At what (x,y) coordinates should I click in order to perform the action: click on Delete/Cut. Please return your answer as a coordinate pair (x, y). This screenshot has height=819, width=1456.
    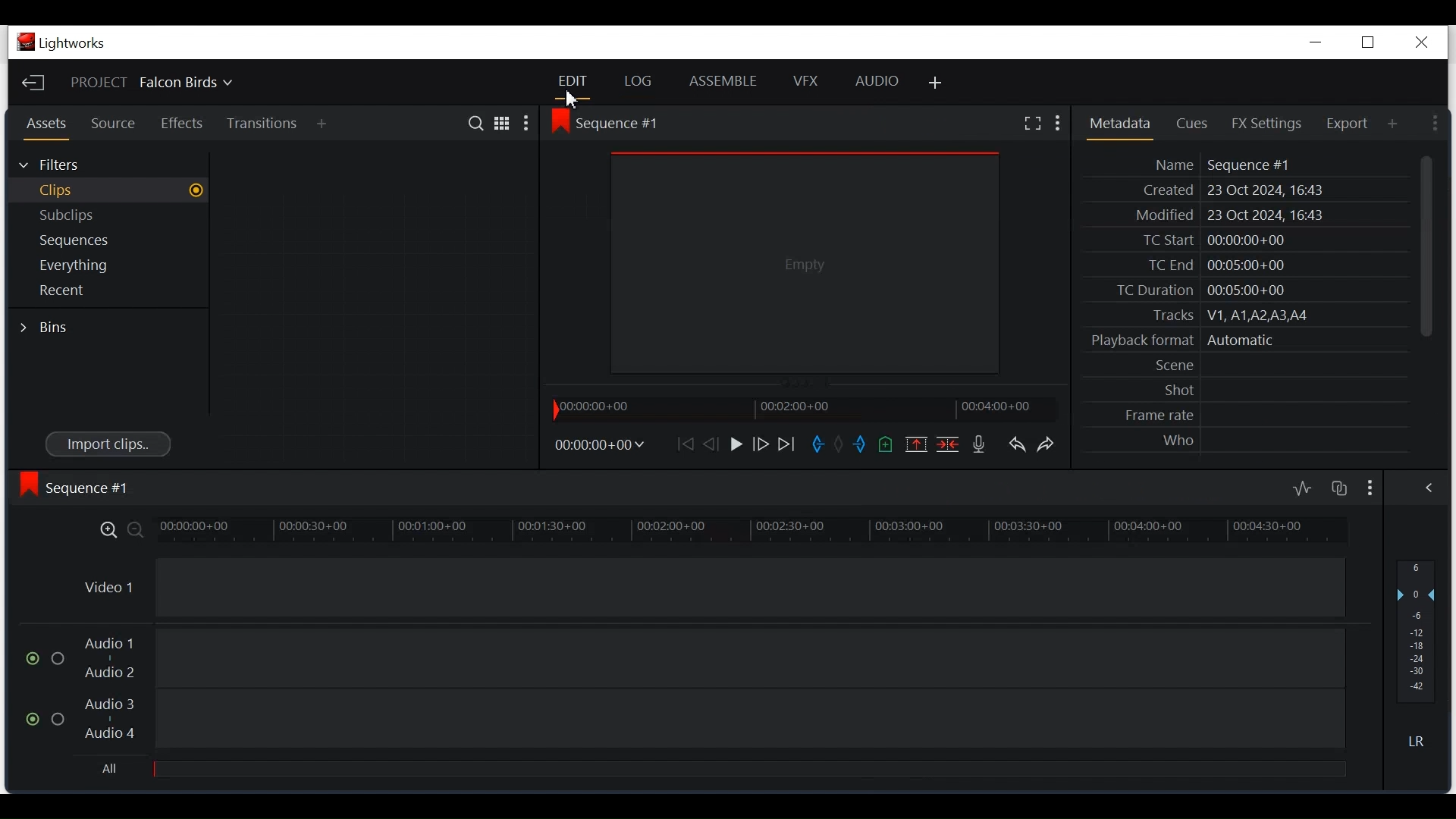
    Looking at the image, I should click on (948, 444).